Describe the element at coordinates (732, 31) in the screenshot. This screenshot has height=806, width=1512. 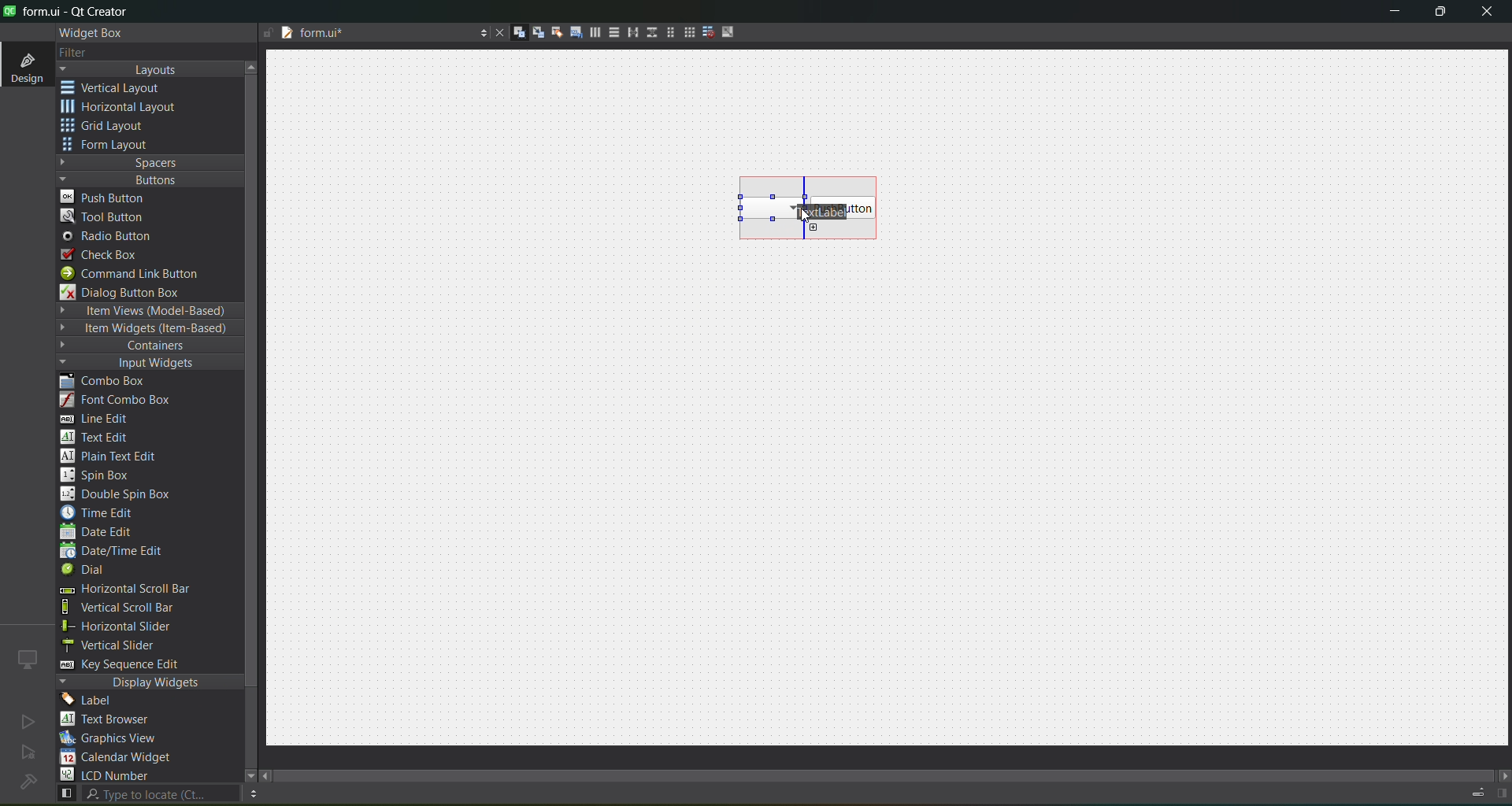
I see `adjust size` at that location.